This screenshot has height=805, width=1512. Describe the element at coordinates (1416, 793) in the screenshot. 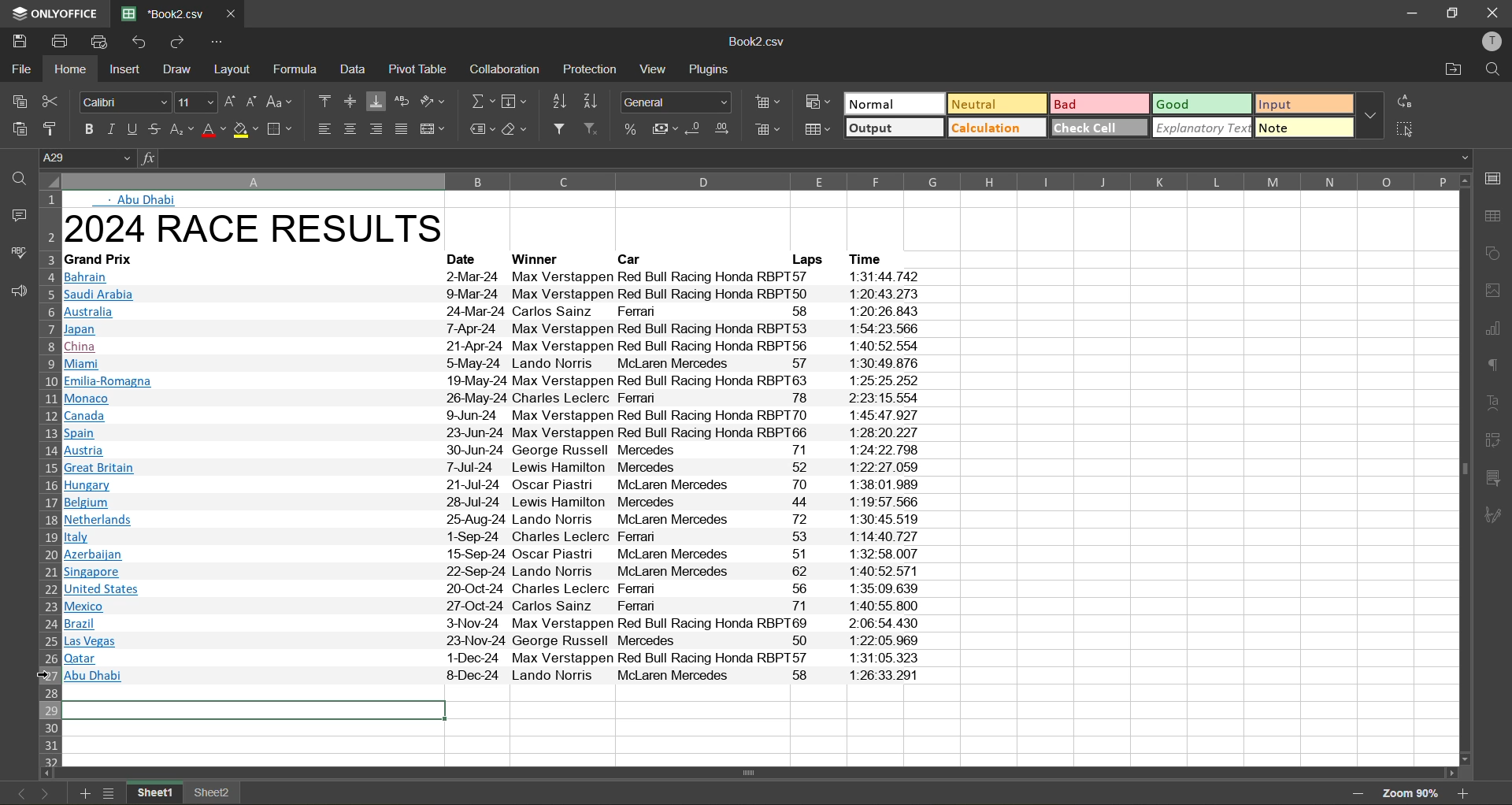

I see `zoom factor` at that location.